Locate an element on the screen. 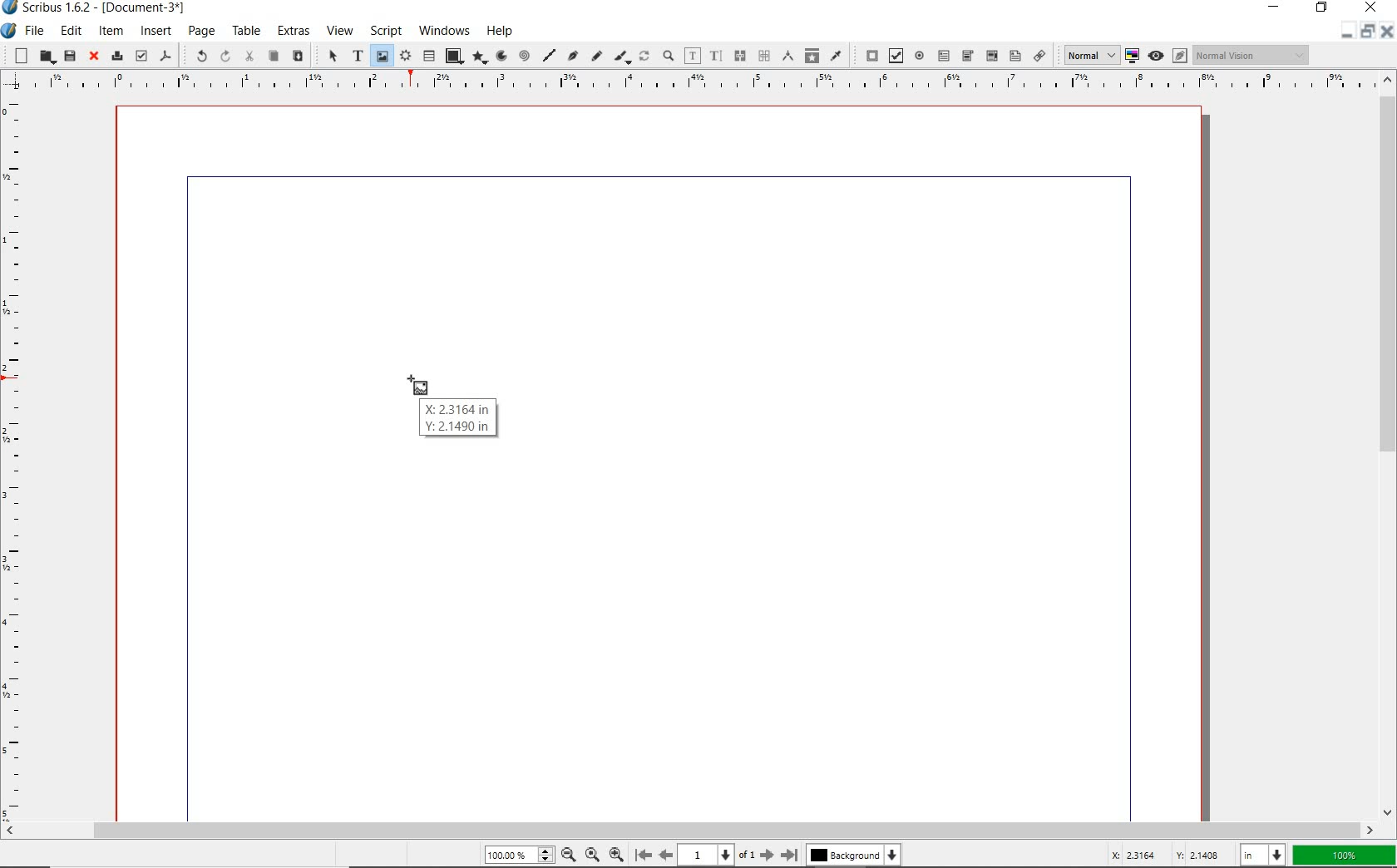  arc is located at coordinates (500, 57).